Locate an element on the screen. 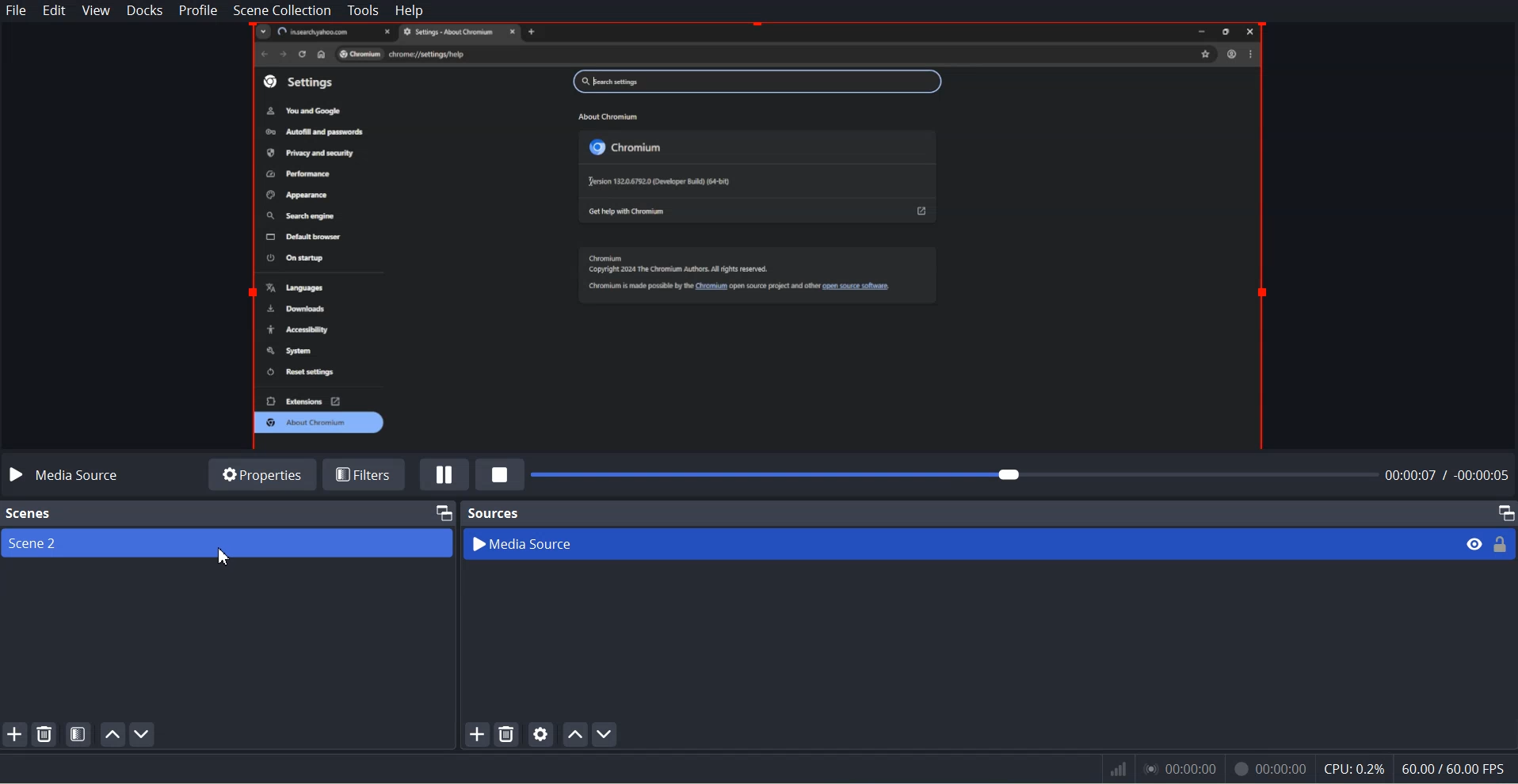 This screenshot has width=1518, height=784. Profile is located at coordinates (198, 11).